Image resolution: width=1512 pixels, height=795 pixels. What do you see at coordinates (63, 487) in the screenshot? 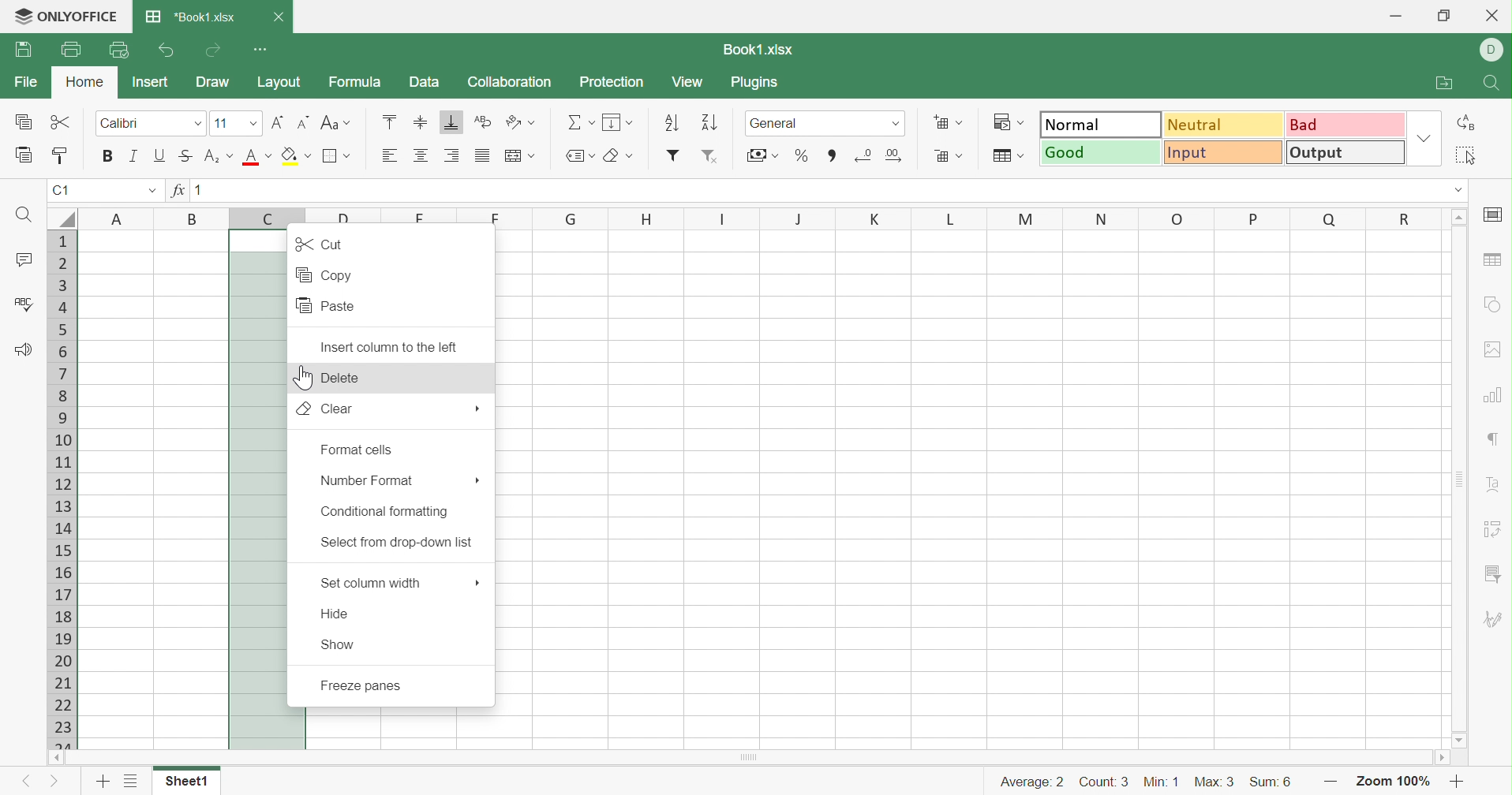
I see `Row Numbers` at bounding box center [63, 487].